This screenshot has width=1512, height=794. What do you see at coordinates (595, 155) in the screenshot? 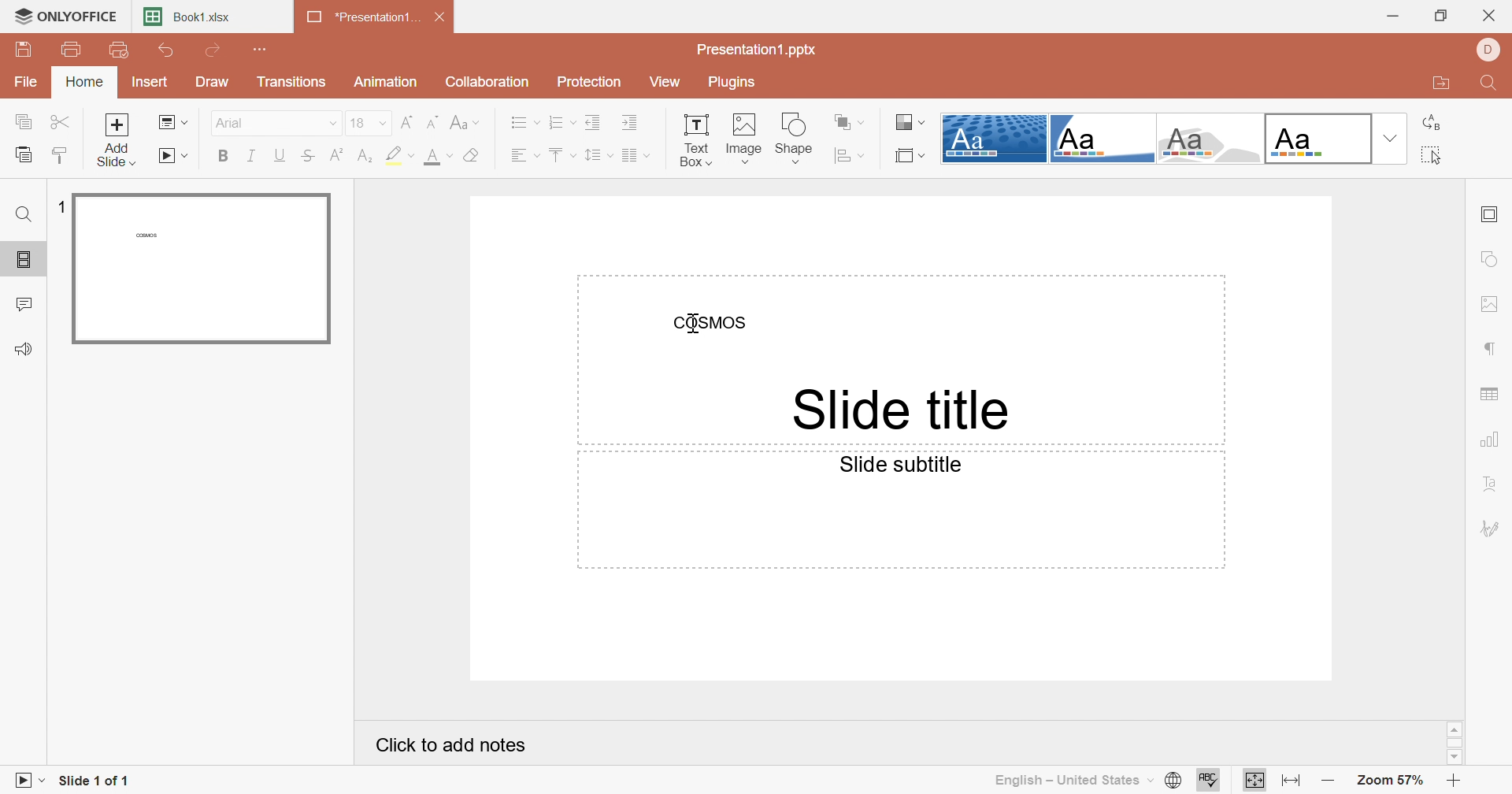
I see `Line spacing` at bounding box center [595, 155].